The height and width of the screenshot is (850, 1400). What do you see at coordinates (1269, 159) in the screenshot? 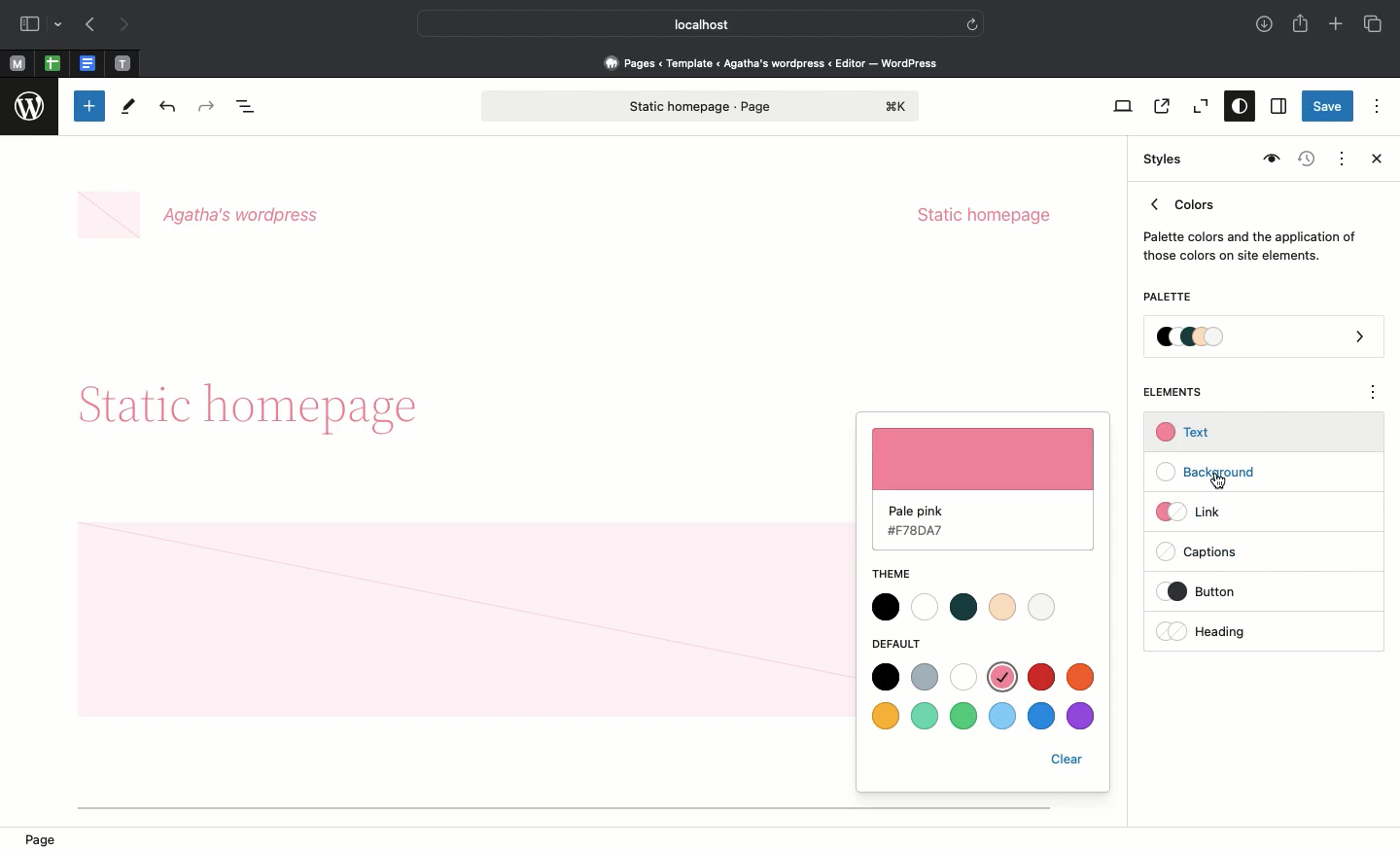
I see `Style book` at bounding box center [1269, 159].